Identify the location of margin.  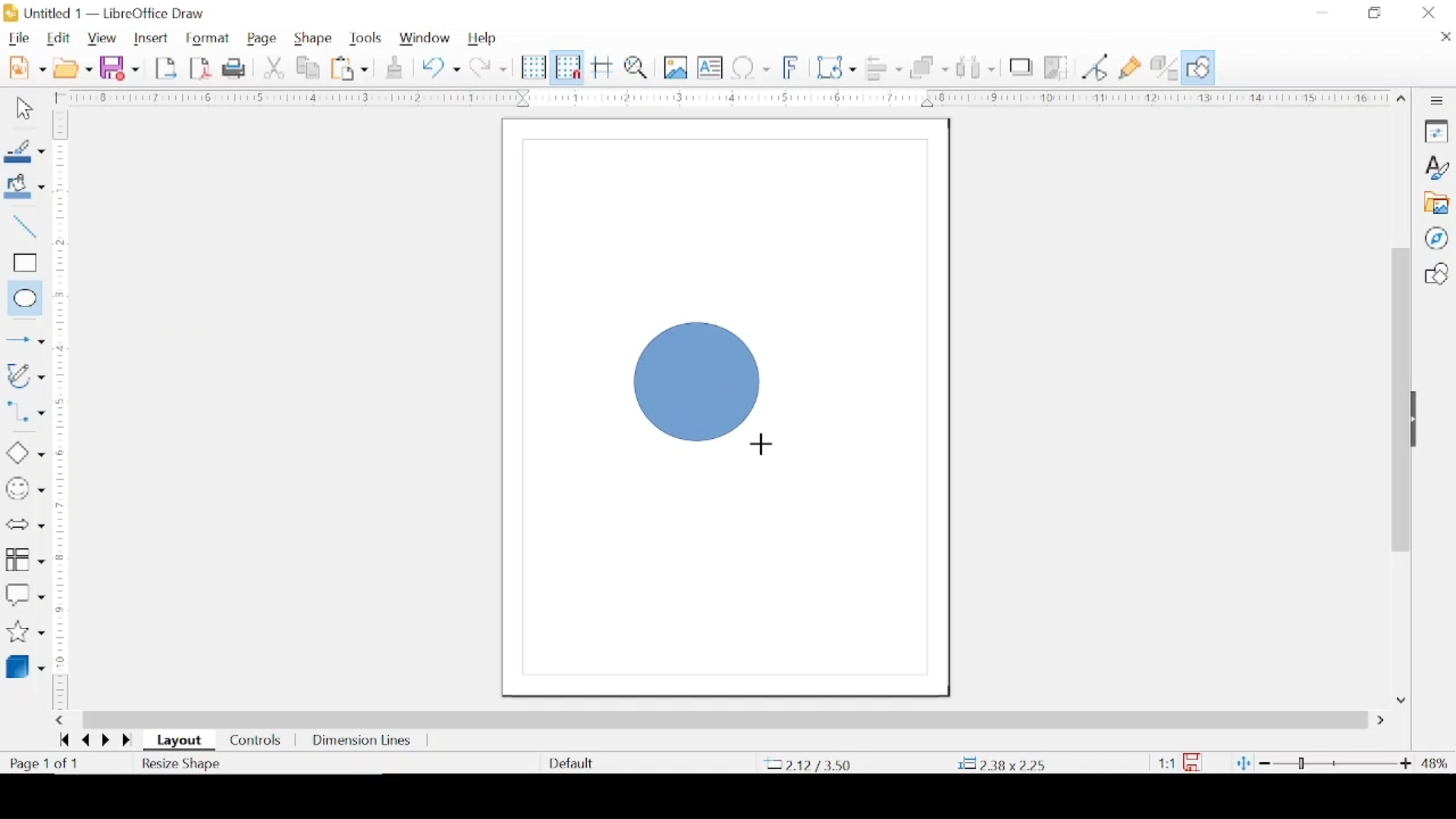
(730, 97).